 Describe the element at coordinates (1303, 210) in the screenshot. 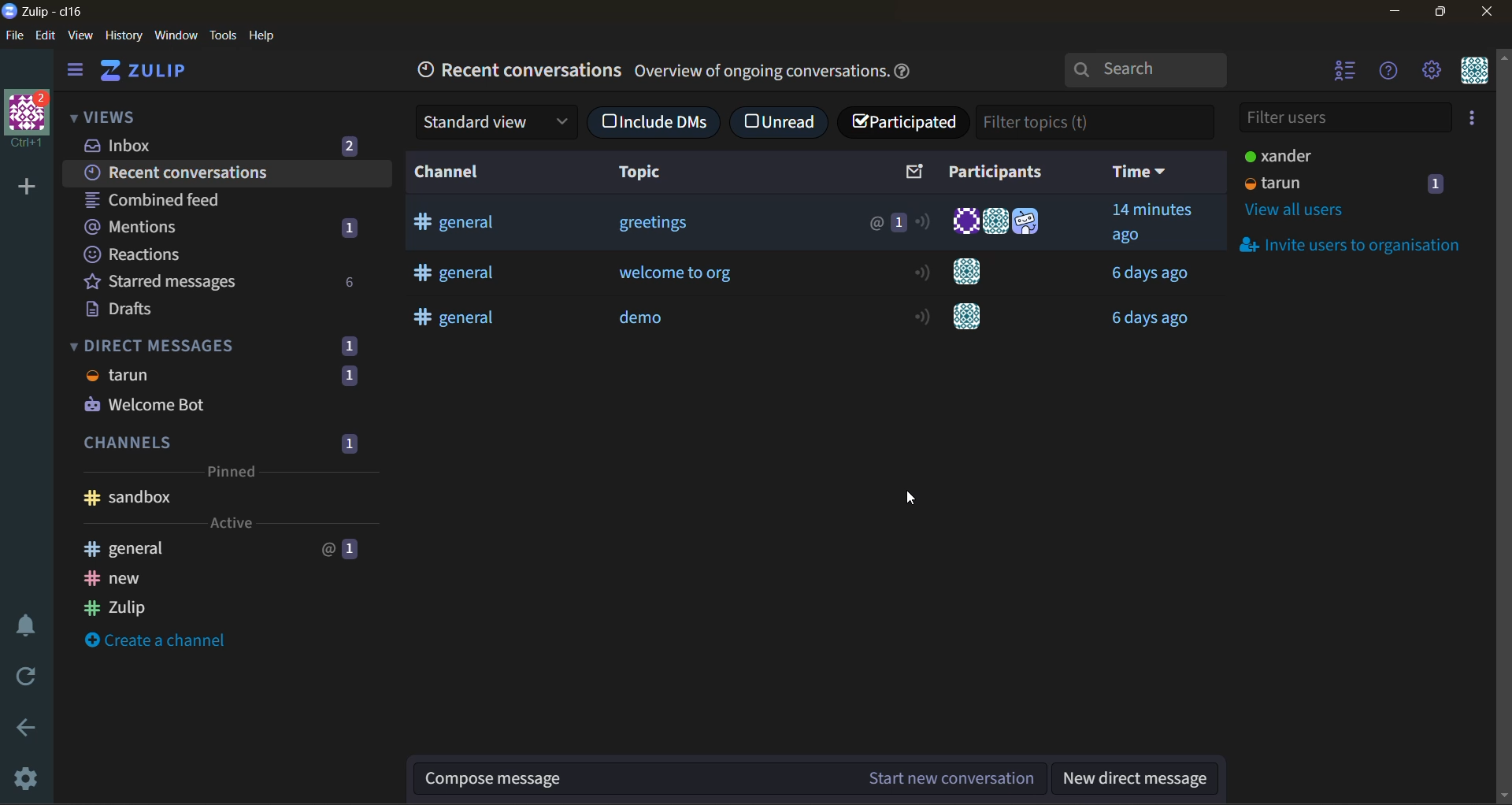

I see `view all users` at that location.